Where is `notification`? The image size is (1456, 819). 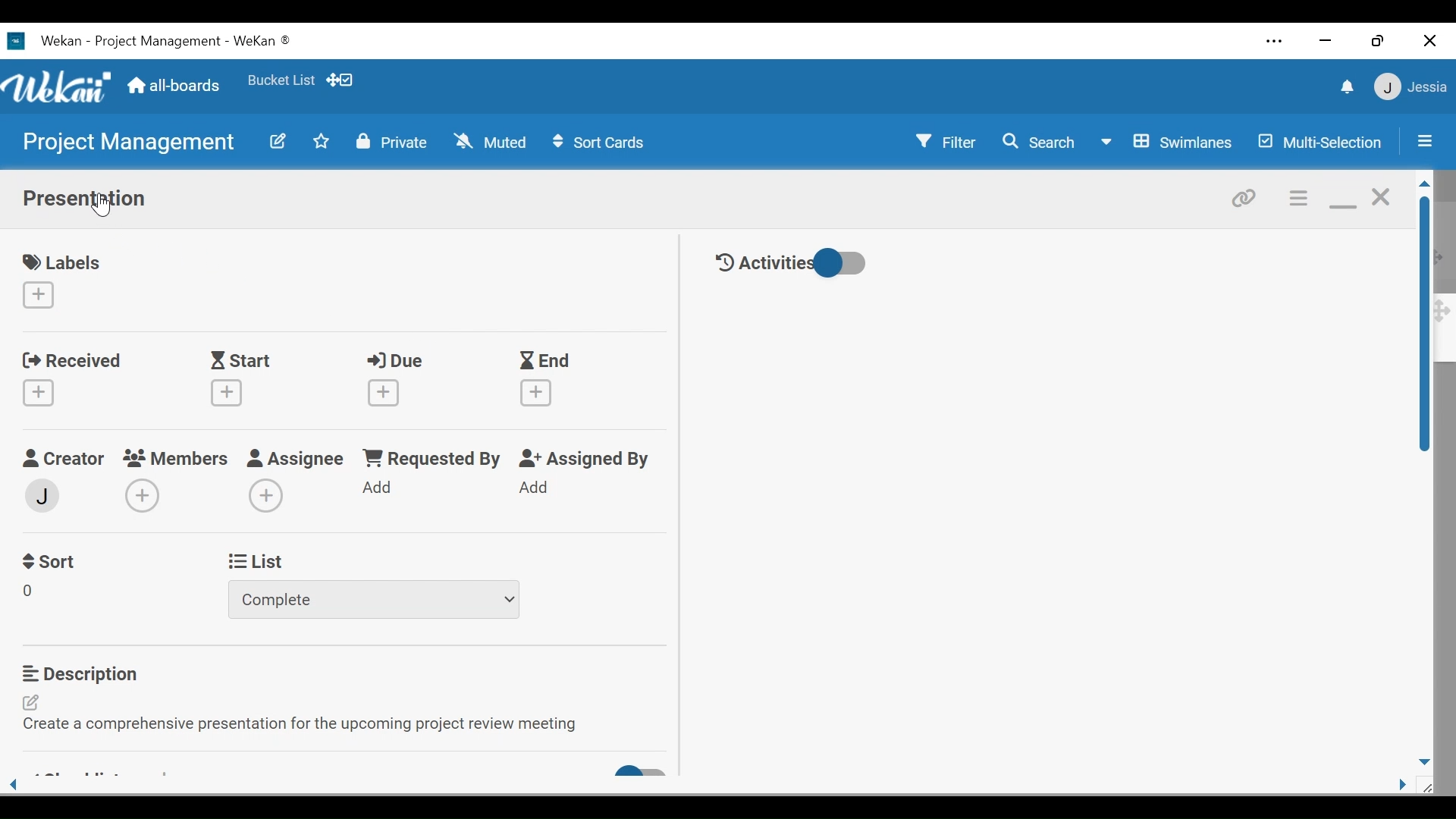 notification is located at coordinates (1349, 88).